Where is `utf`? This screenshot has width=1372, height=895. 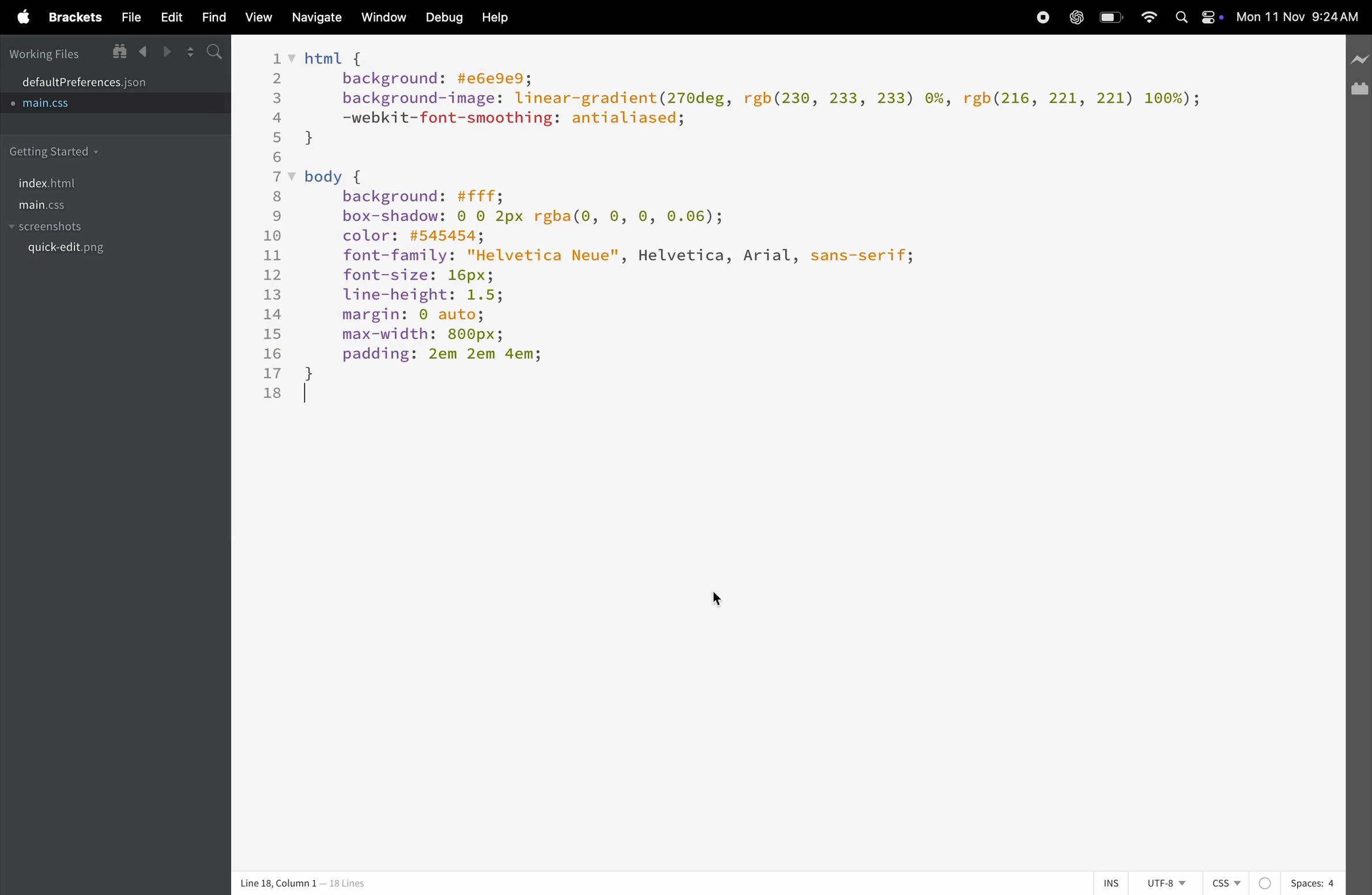
utf is located at coordinates (1166, 883).